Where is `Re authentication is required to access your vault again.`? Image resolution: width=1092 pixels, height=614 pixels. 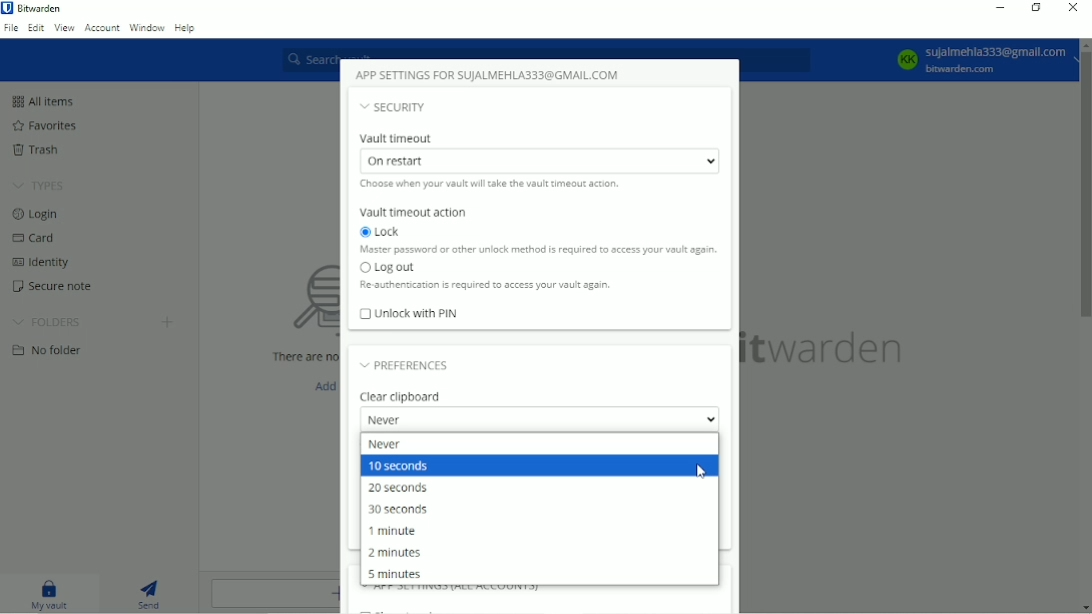
Re authentication is required to access your vault again. is located at coordinates (485, 287).